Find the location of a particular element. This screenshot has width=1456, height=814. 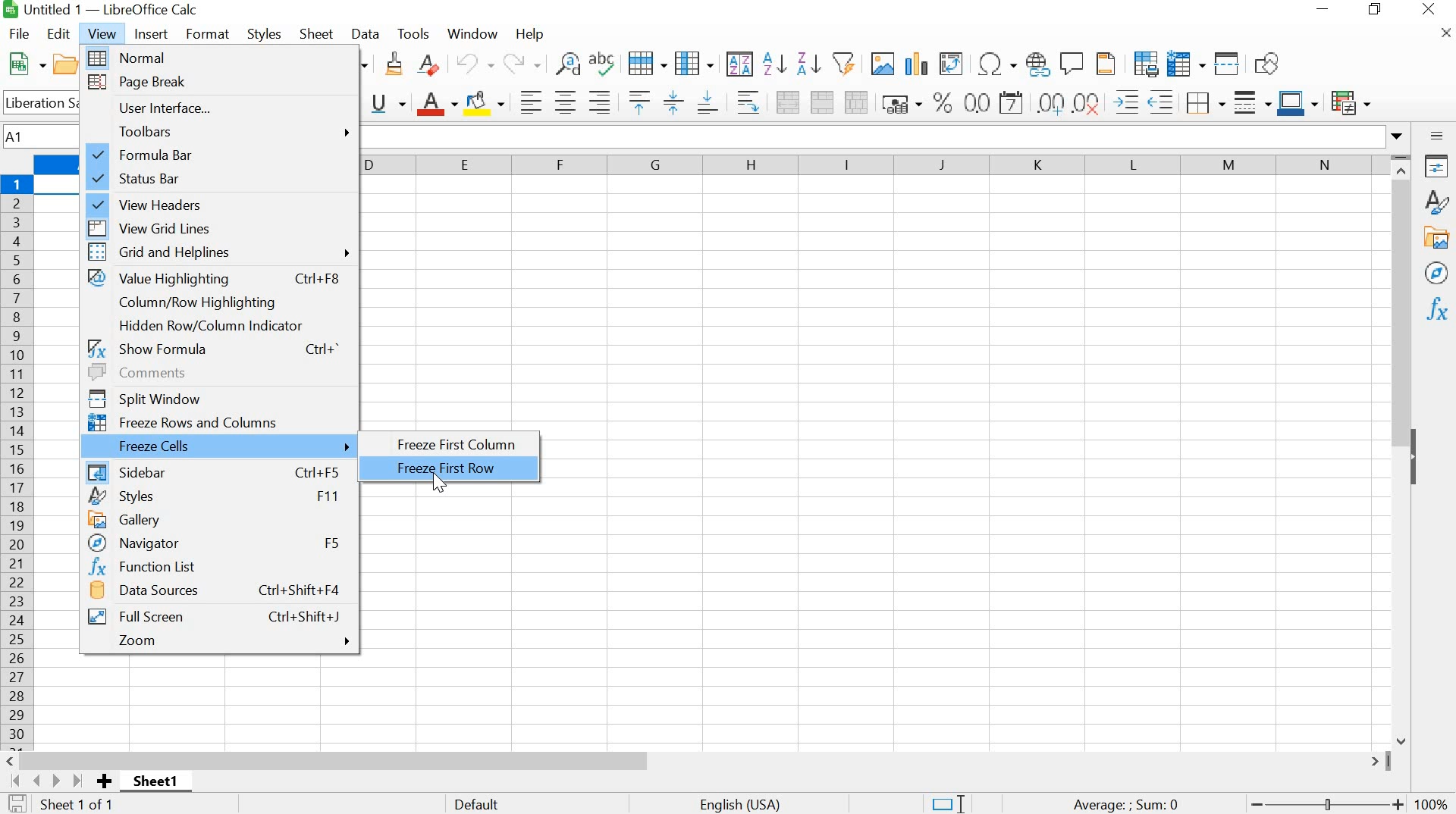

SIDEBAR is located at coordinates (214, 470).